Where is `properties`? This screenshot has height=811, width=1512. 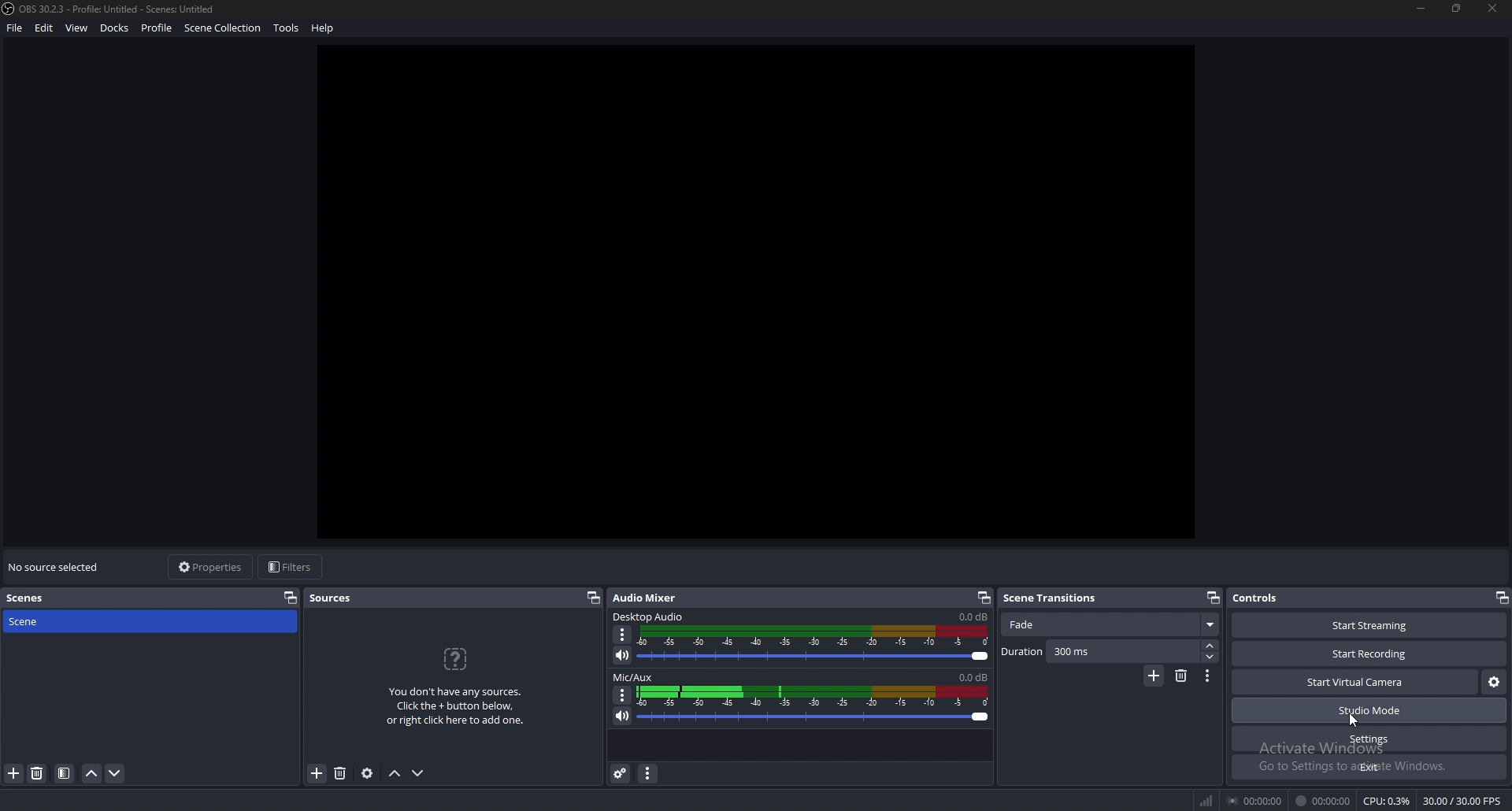
properties is located at coordinates (213, 567).